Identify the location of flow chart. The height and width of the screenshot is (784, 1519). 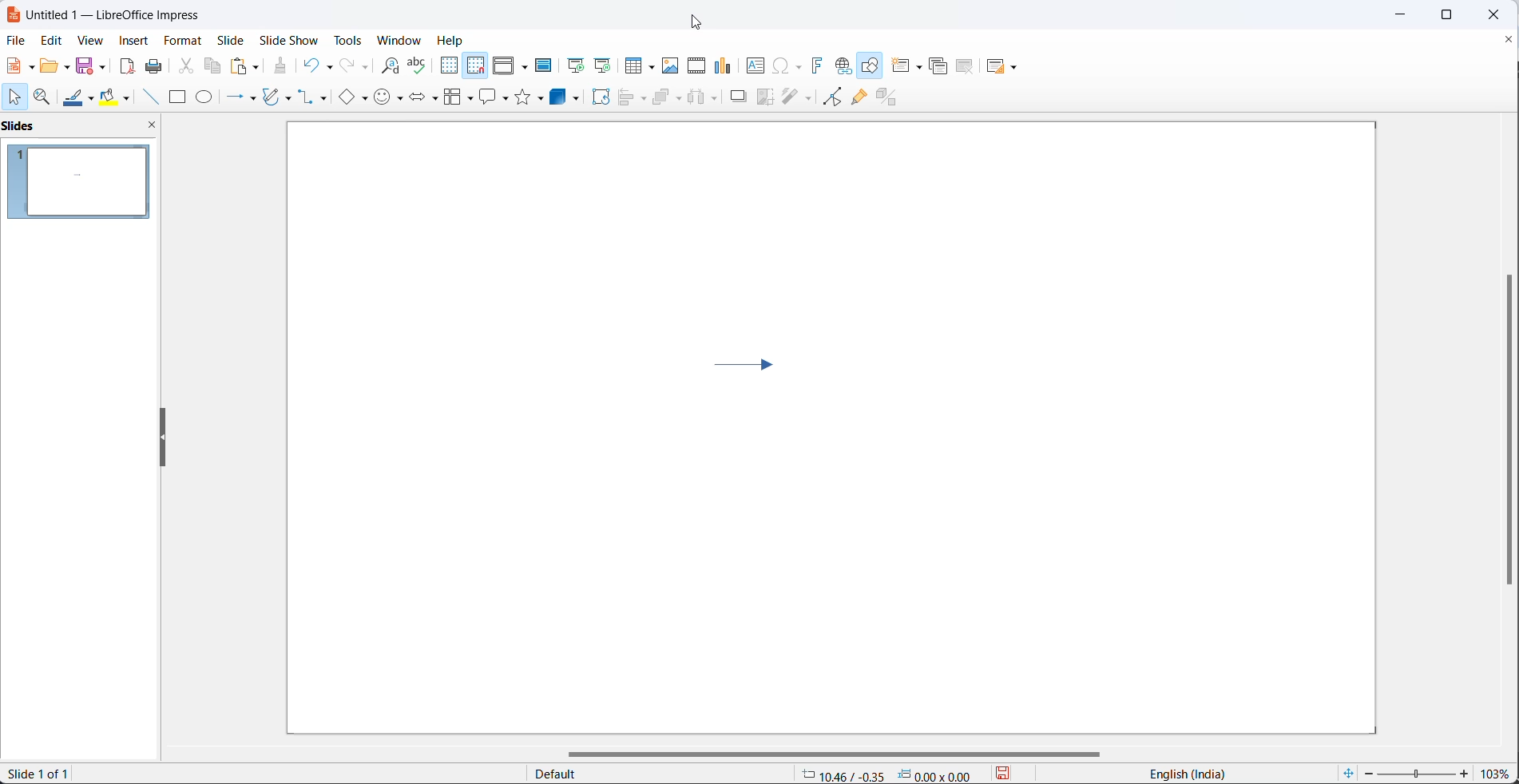
(455, 97).